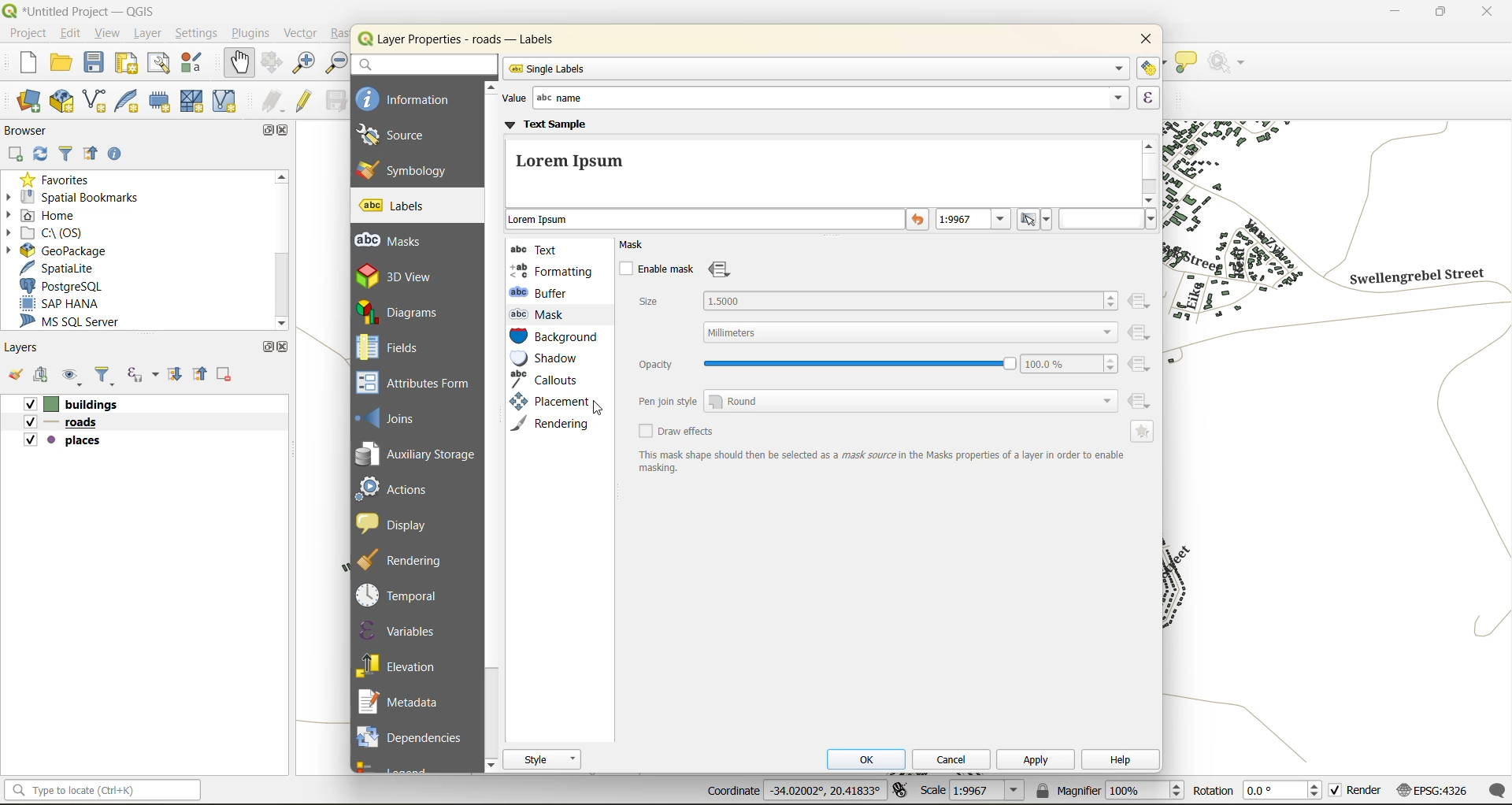 This screenshot has width=1512, height=805. I want to click on opacity, so click(876, 364).